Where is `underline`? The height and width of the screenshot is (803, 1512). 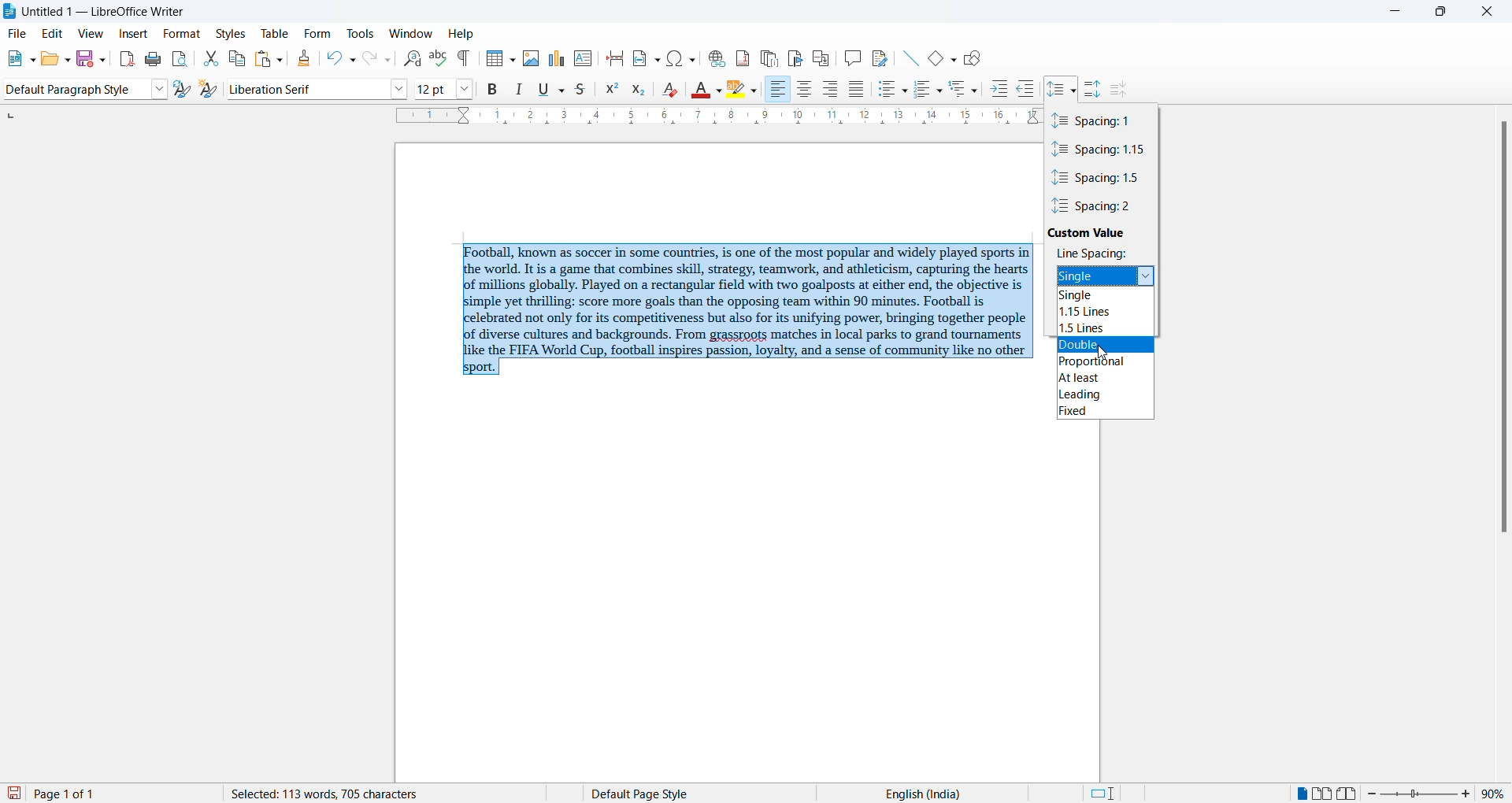 underline is located at coordinates (543, 87).